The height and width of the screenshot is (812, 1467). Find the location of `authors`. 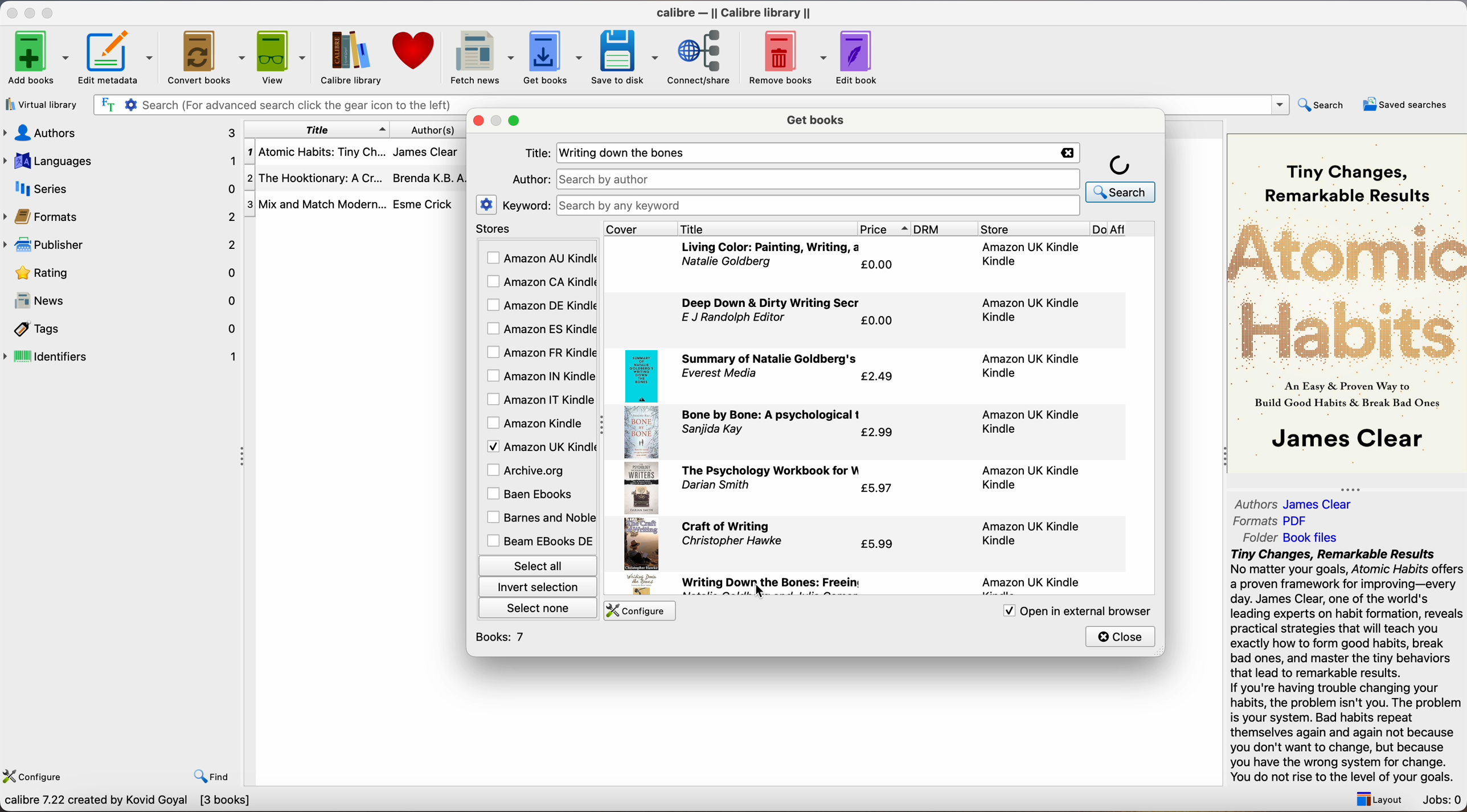

authors is located at coordinates (440, 129).